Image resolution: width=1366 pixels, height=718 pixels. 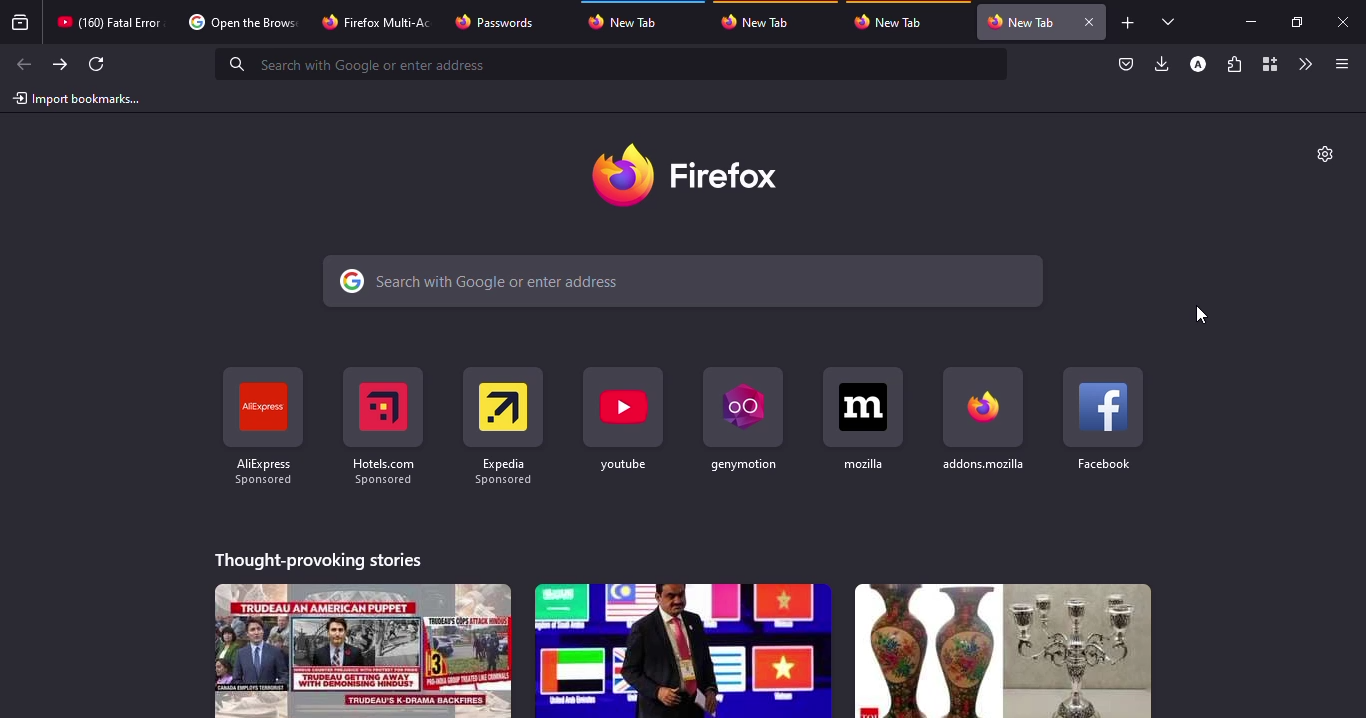 I want to click on tab, so click(x=891, y=21).